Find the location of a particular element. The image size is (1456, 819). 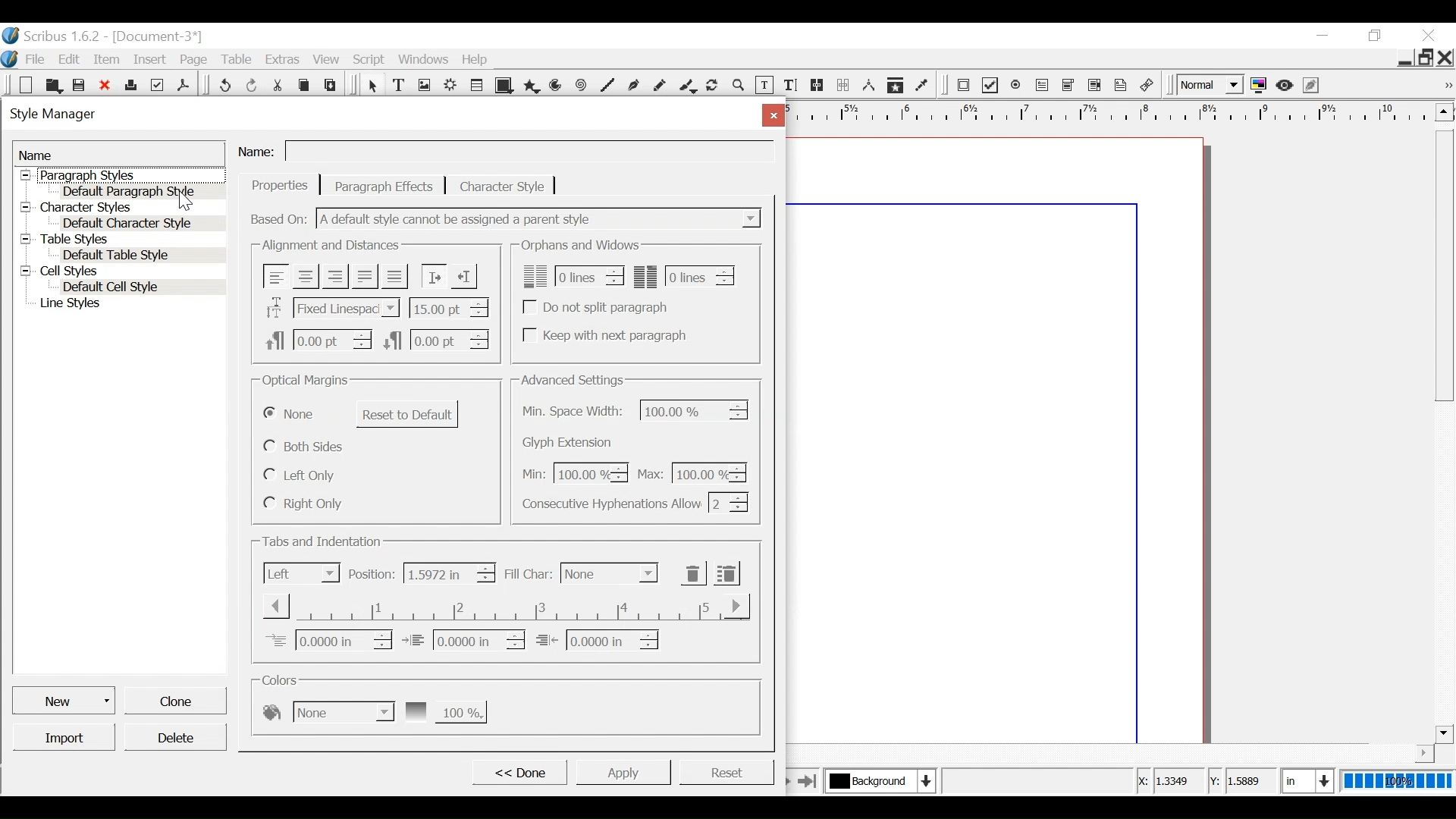

Toggle color is located at coordinates (1260, 86).